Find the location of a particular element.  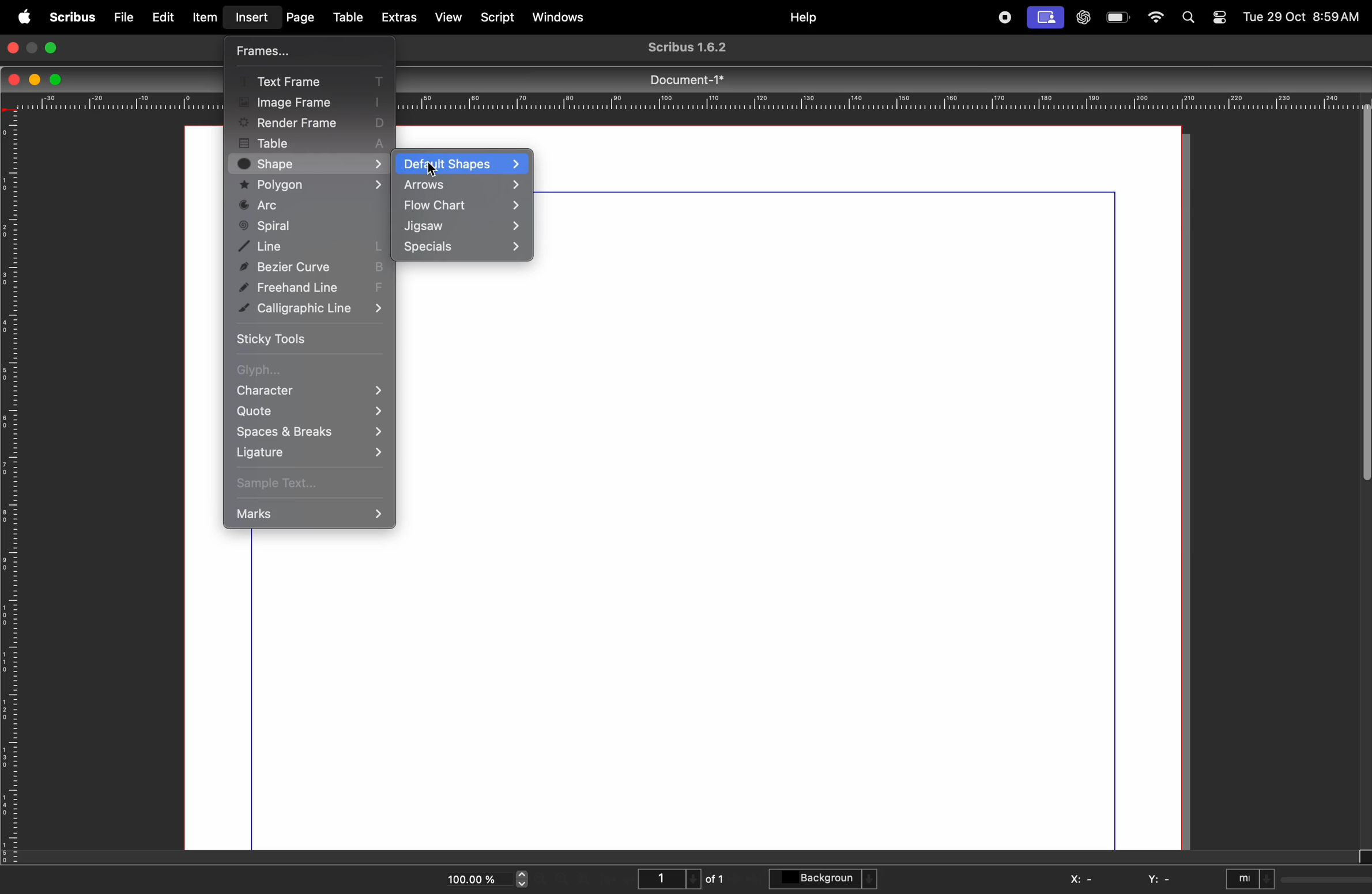

find is located at coordinates (1192, 18).